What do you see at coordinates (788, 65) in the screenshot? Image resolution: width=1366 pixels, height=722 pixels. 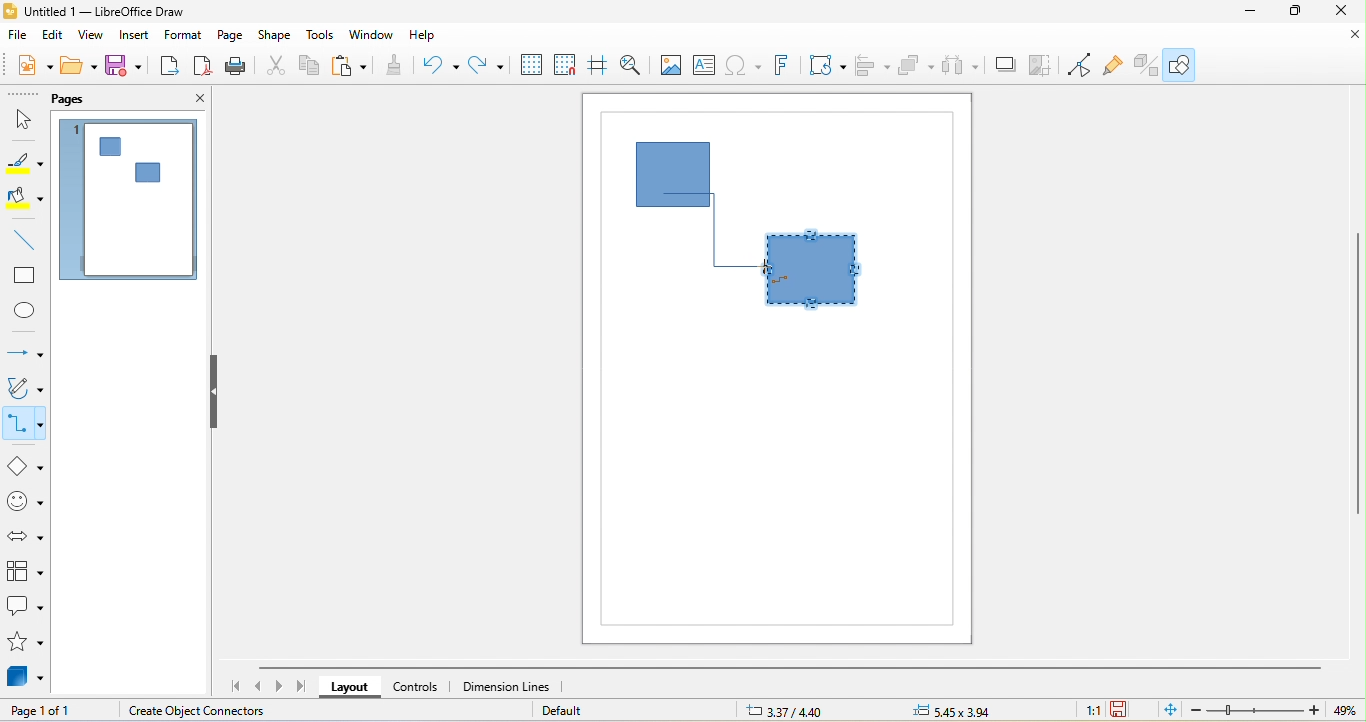 I see `fontwork text` at bounding box center [788, 65].